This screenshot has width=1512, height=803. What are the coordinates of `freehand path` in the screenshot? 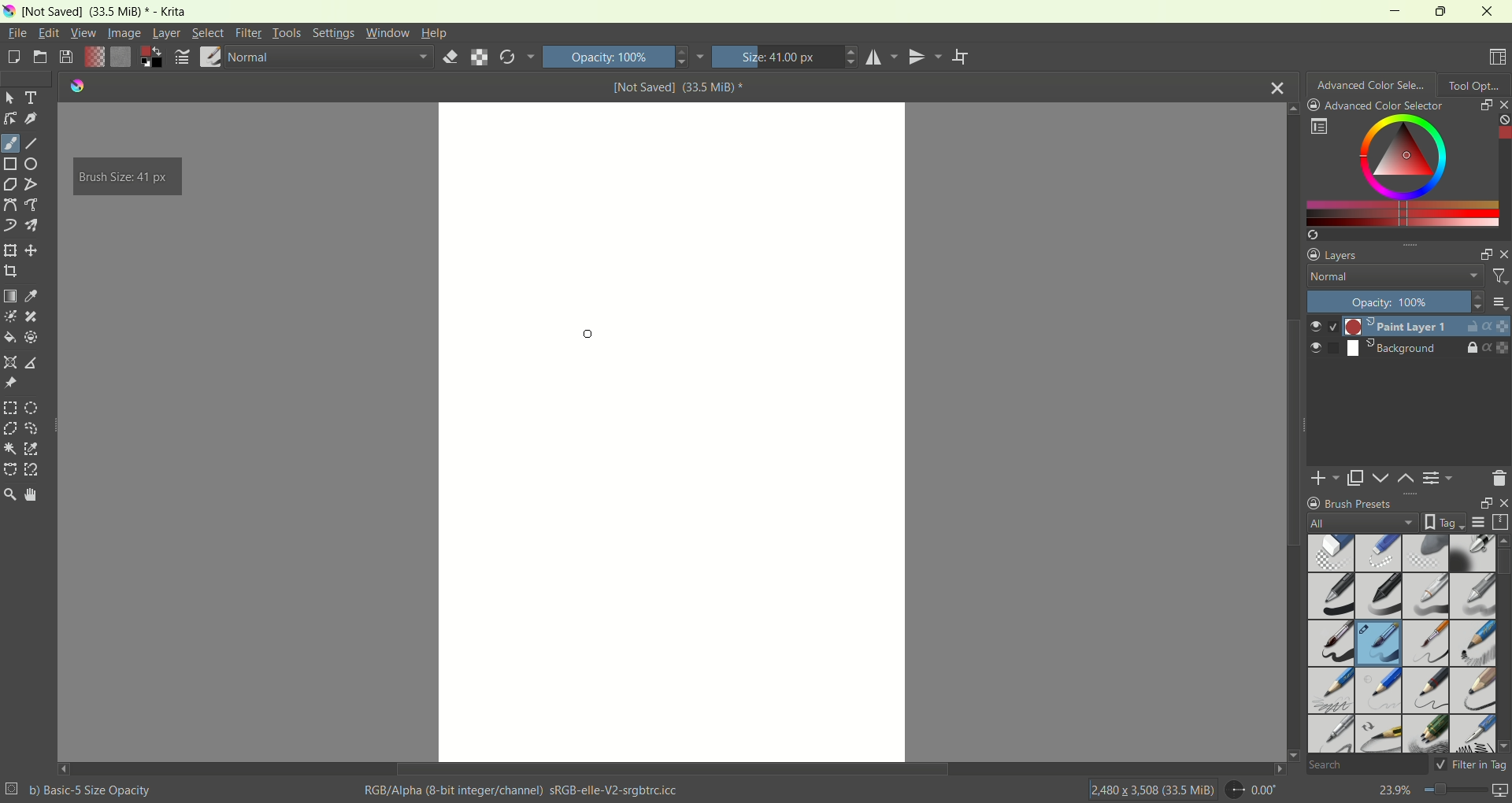 It's located at (34, 205).